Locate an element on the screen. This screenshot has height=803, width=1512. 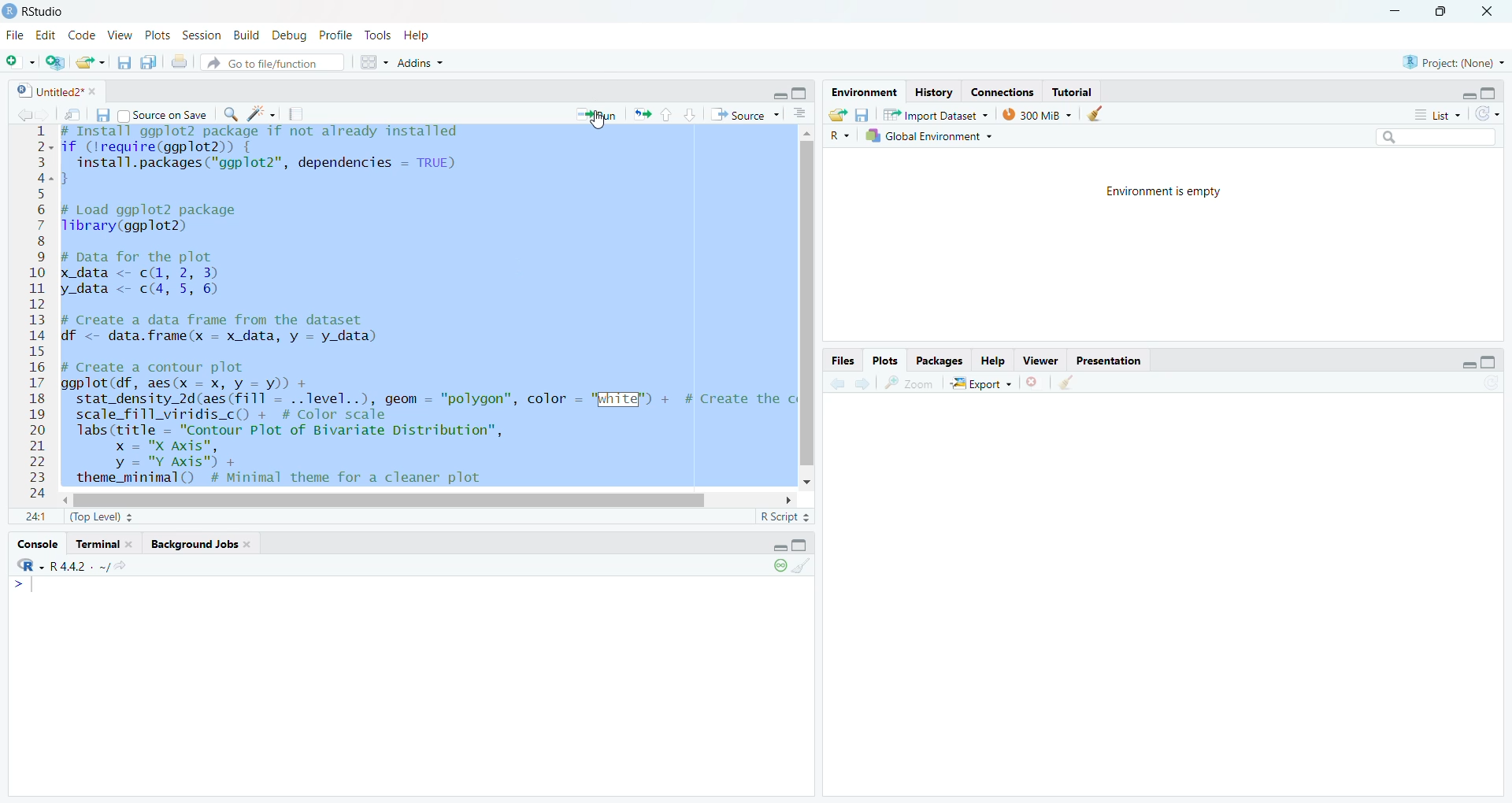
R Script  is located at coordinates (778, 516).